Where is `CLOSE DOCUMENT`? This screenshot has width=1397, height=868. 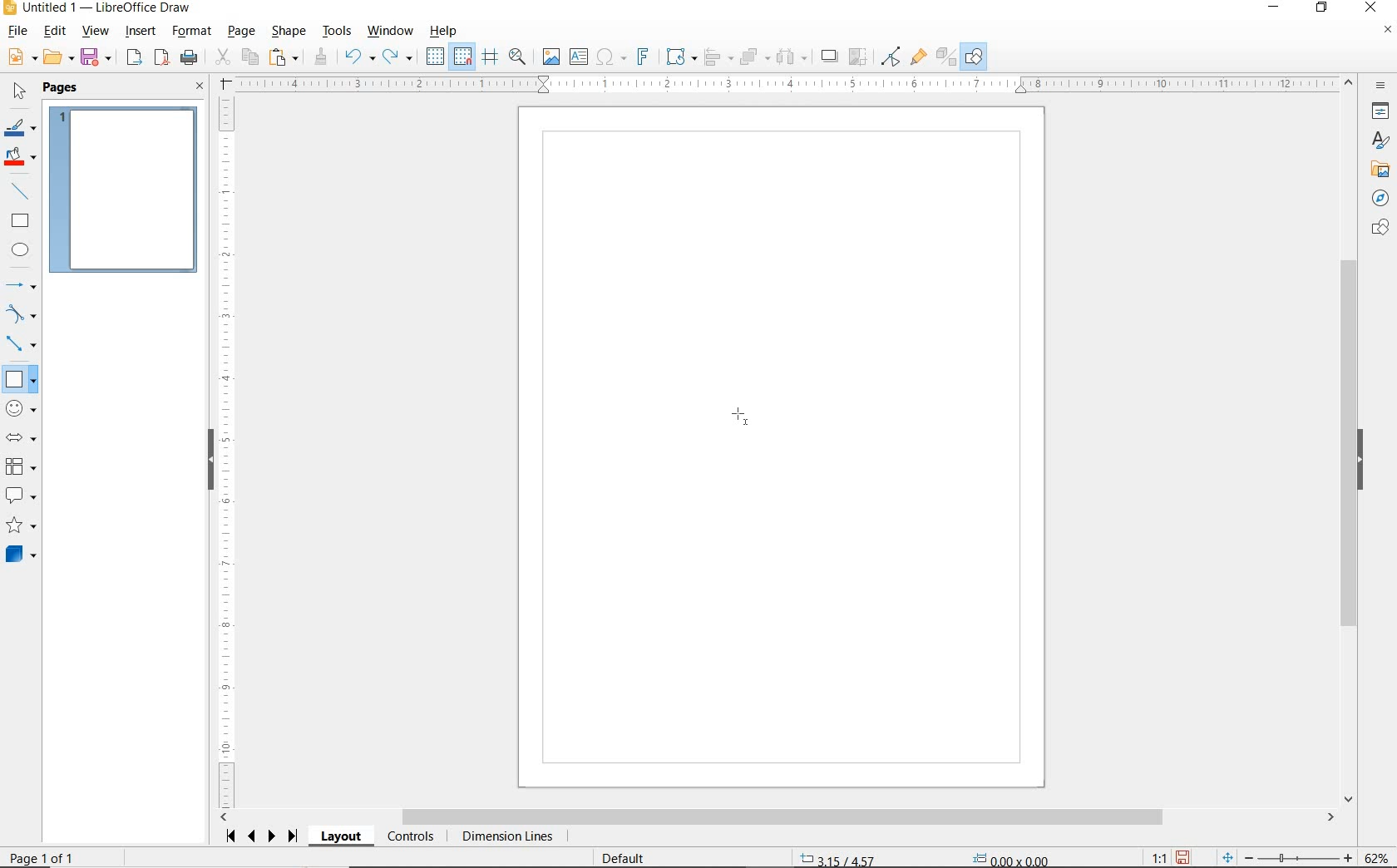
CLOSE DOCUMENT is located at coordinates (1387, 31).